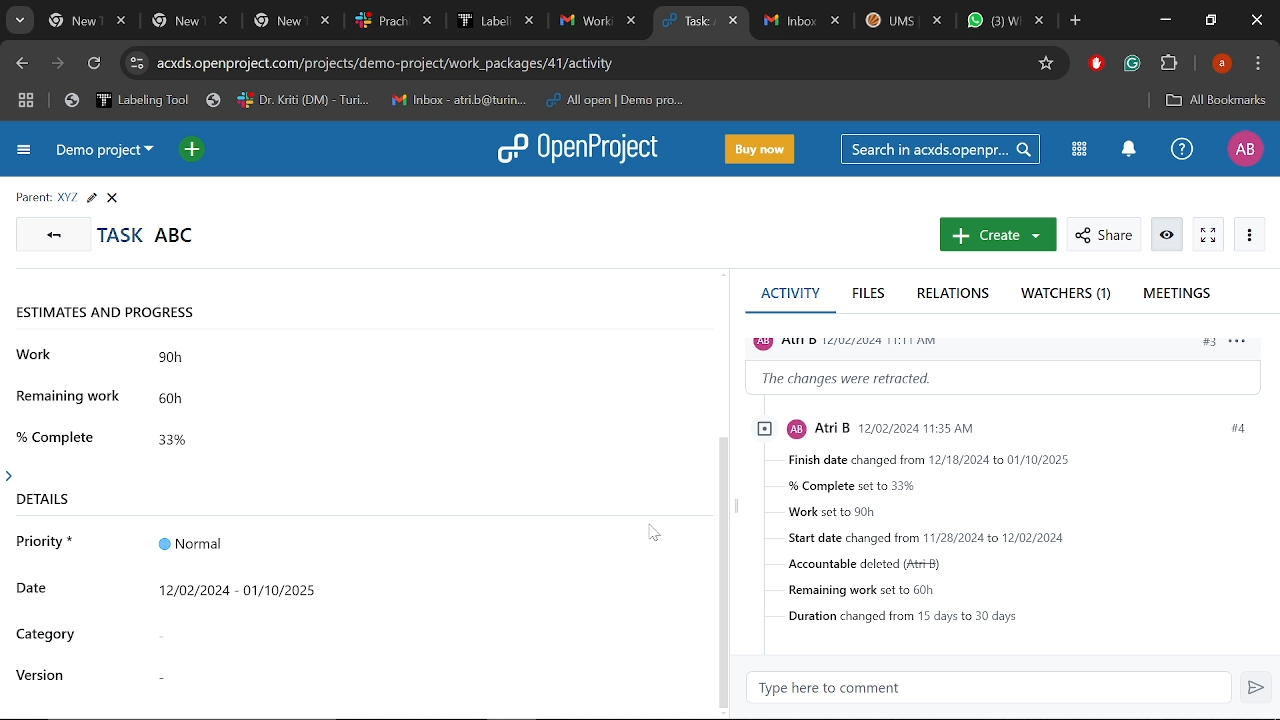 This screenshot has width=1280, height=720. What do you see at coordinates (27, 151) in the screenshot?
I see `` at bounding box center [27, 151].